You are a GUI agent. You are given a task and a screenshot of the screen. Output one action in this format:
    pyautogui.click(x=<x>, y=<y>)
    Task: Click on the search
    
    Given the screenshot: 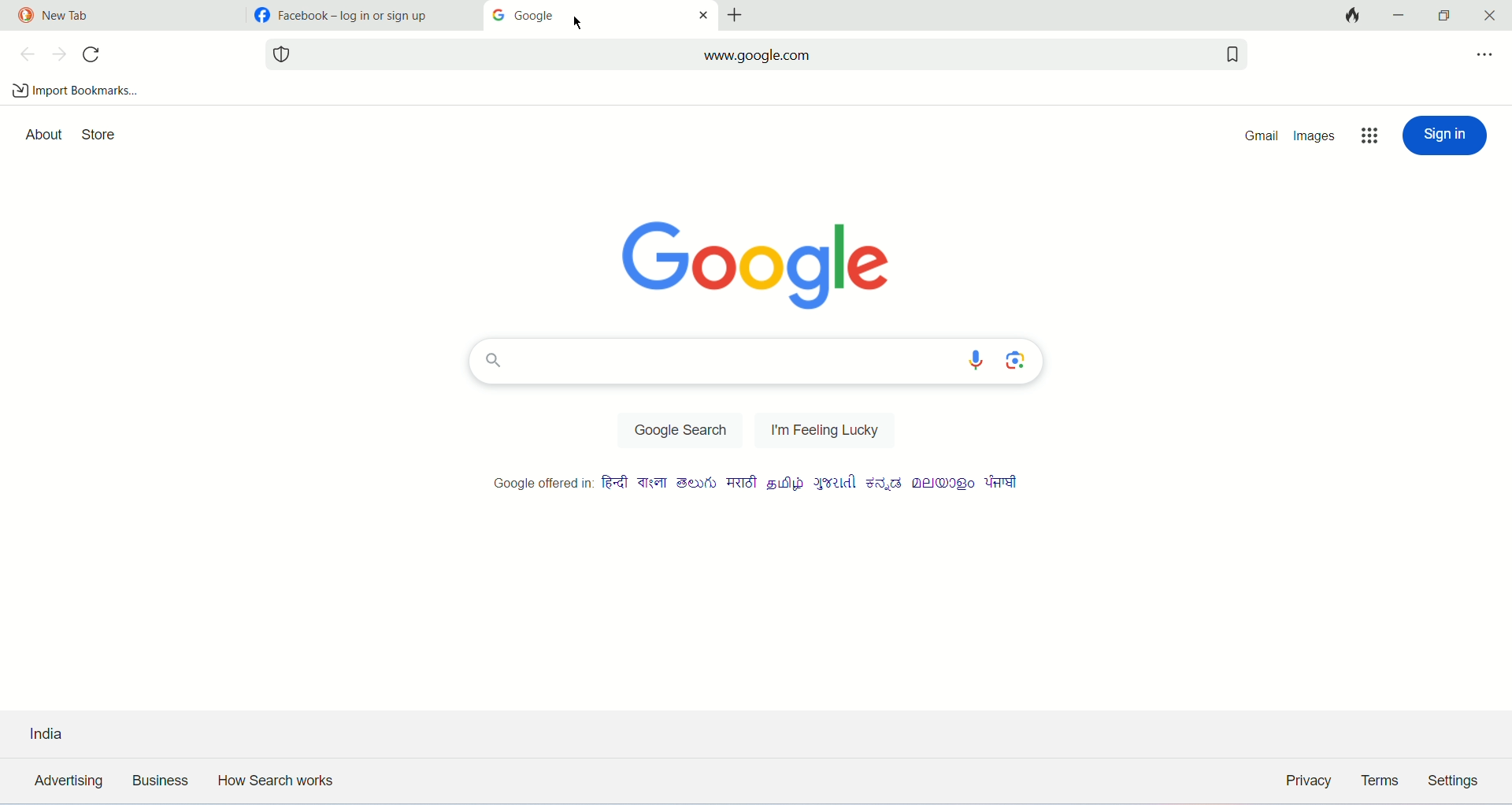 What is the action you would take?
    pyautogui.click(x=754, y=361)
    